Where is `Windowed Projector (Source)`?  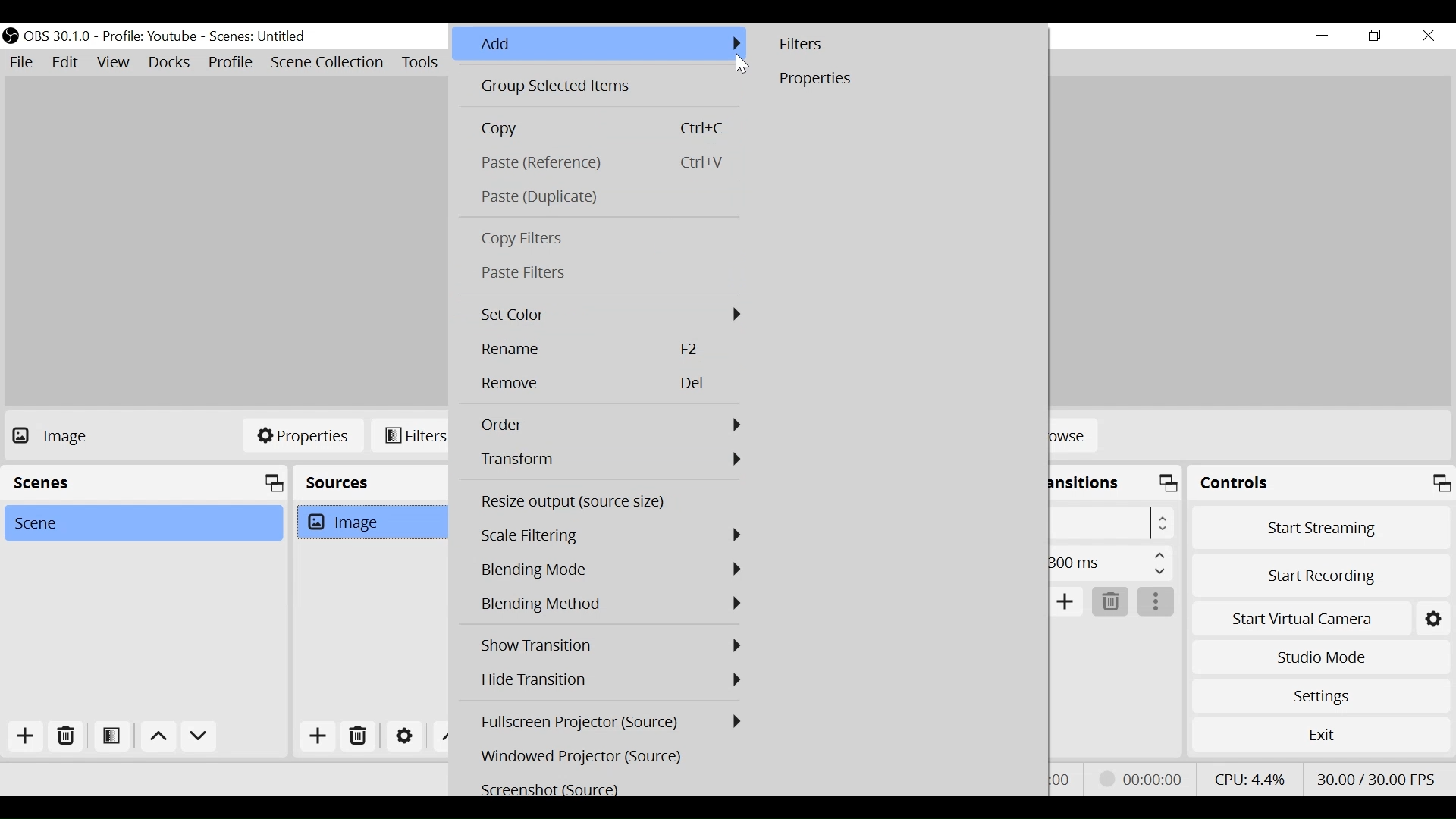 Windowed Projector (Source) is located at coordinates (613, 757).